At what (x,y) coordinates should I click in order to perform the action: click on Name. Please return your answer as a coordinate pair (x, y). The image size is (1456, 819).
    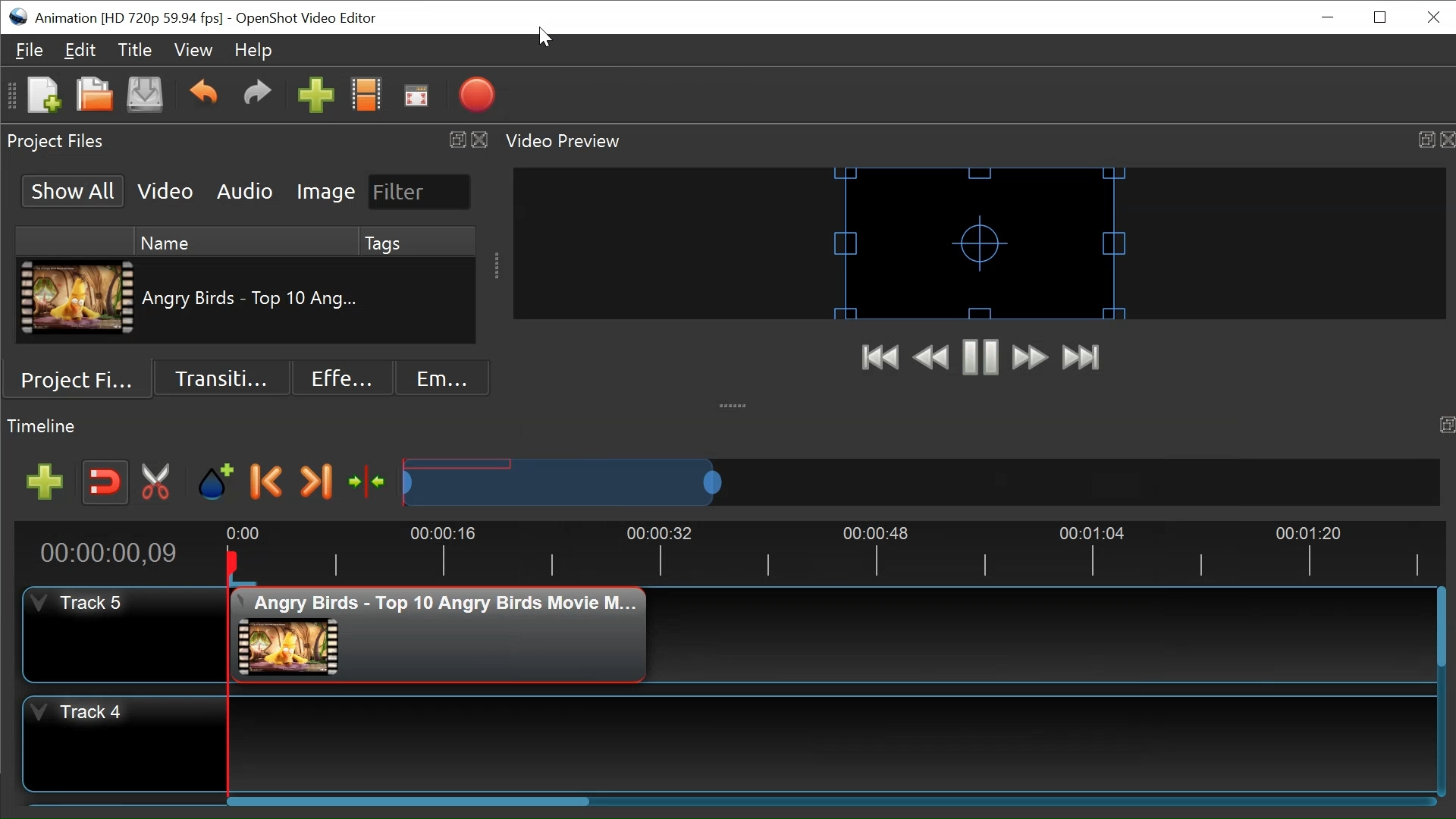
    Looking at the image, I should click on (244, 240).